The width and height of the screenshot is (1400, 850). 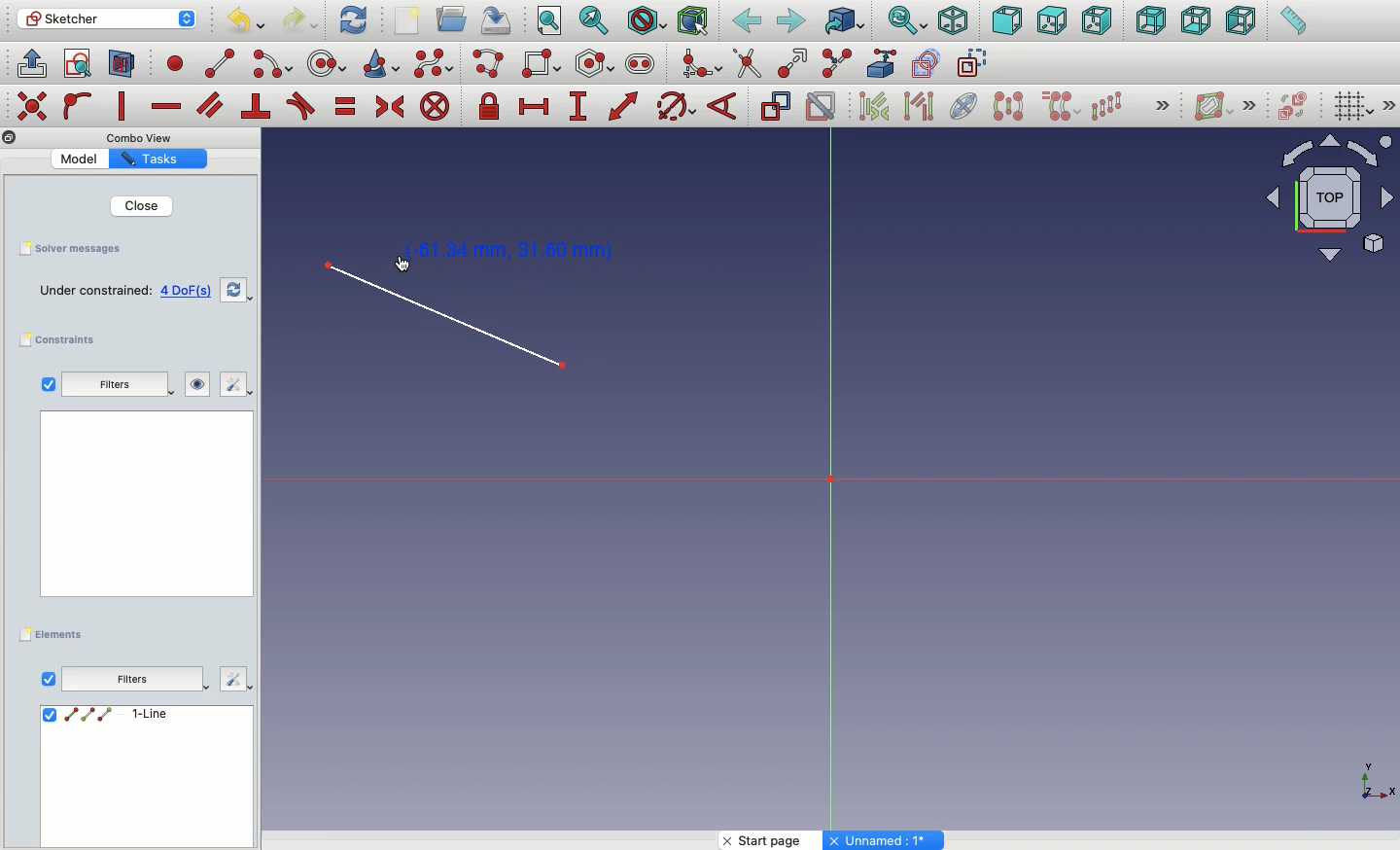 What do you see at coordinates (1006, 20) in the screenshot?
I see `Front` at bounding box center [1006, 20].